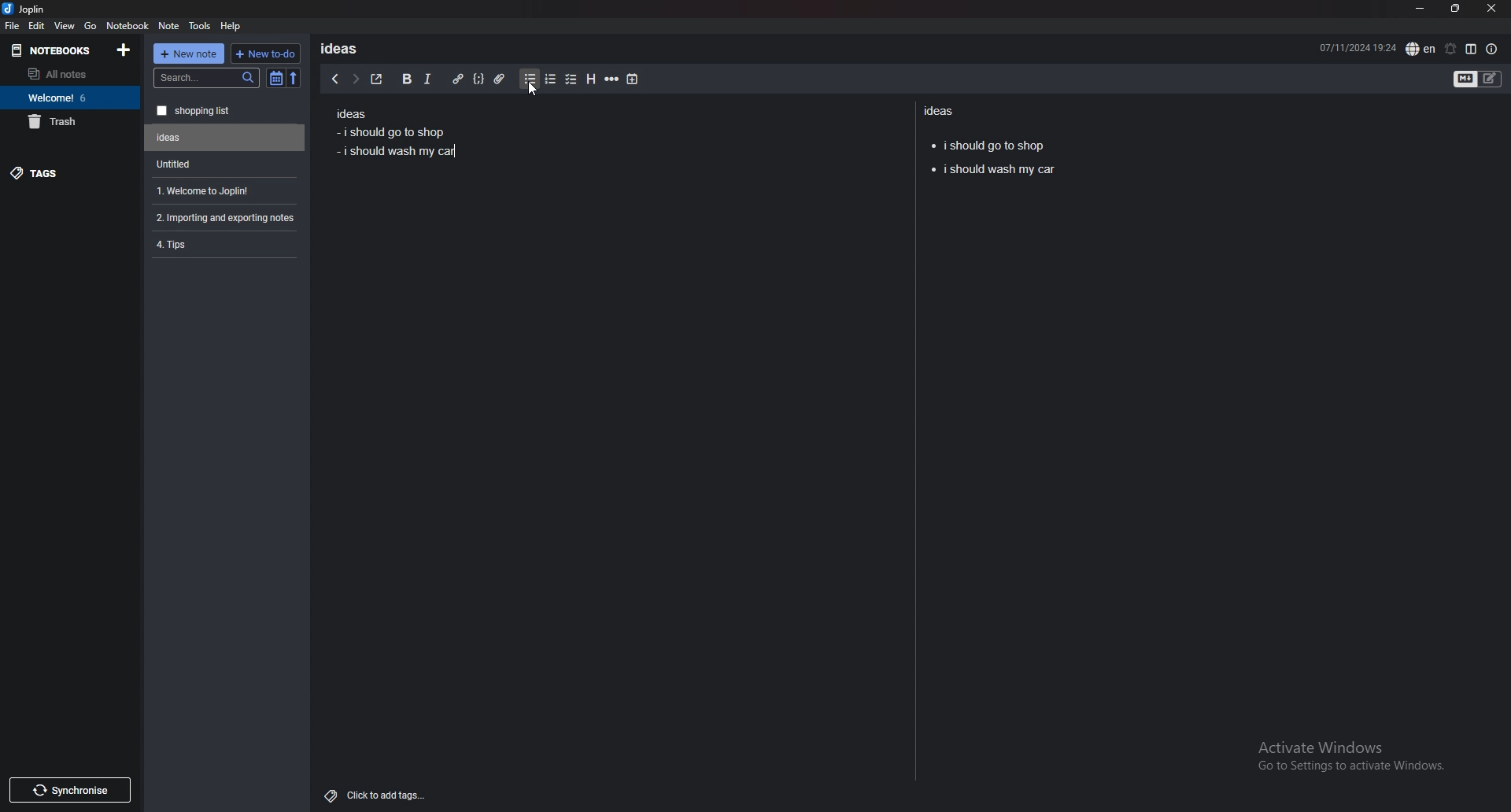 The width and height of the screenshot is (1511, 812). Describe the element at coordinates (1455, 9) in the screenshot. I see `resize` at that location.